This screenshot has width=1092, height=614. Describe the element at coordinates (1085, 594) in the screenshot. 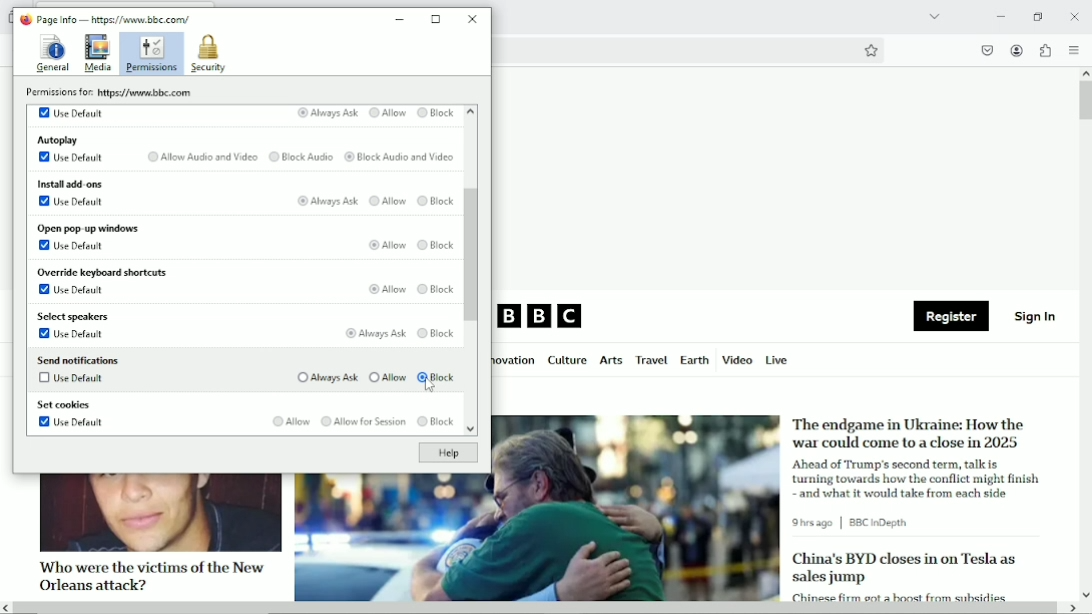

I see `scroll down` at that location.